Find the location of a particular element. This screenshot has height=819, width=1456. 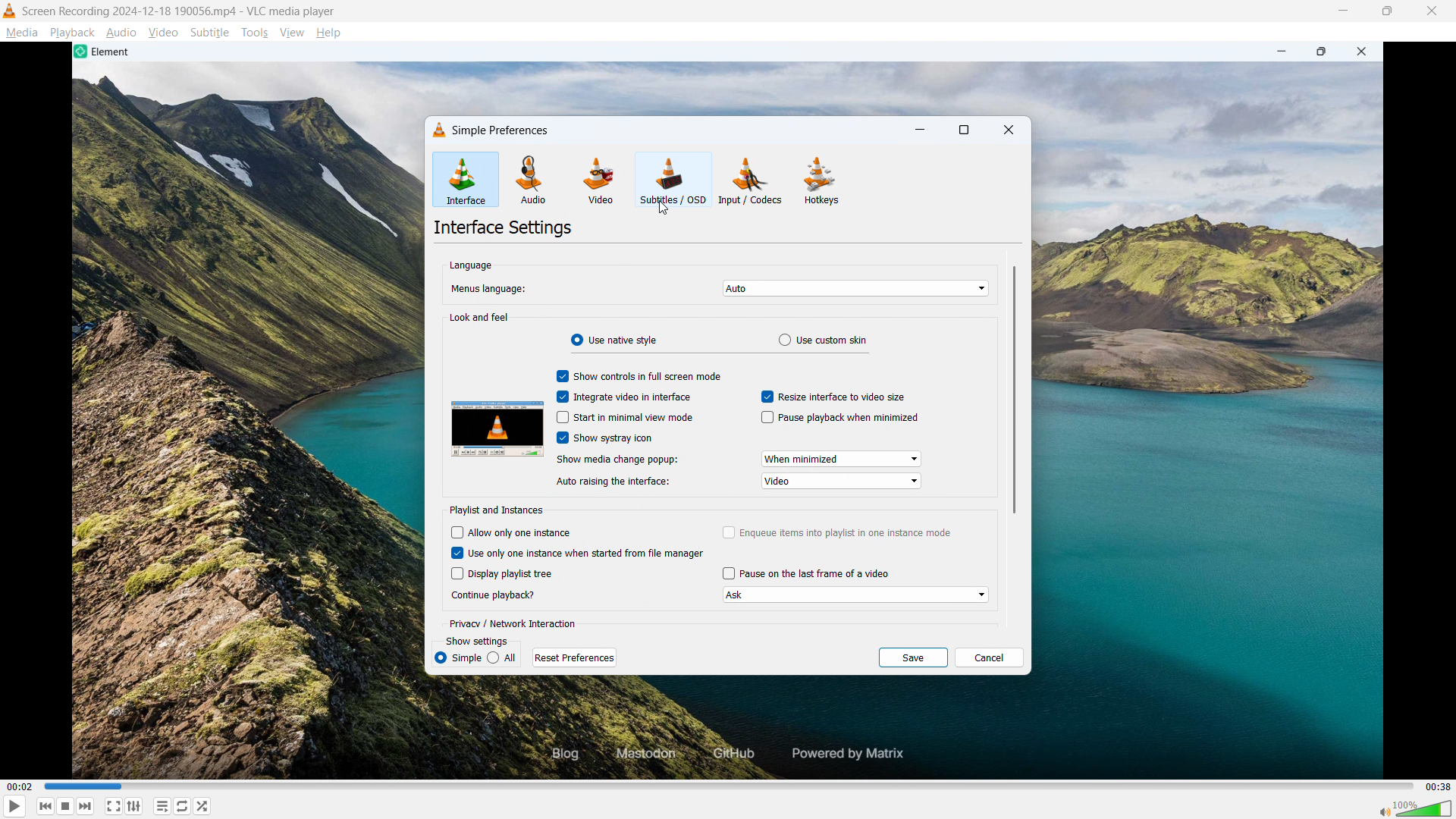

Subtitle  is located at coordinates (210, 33).